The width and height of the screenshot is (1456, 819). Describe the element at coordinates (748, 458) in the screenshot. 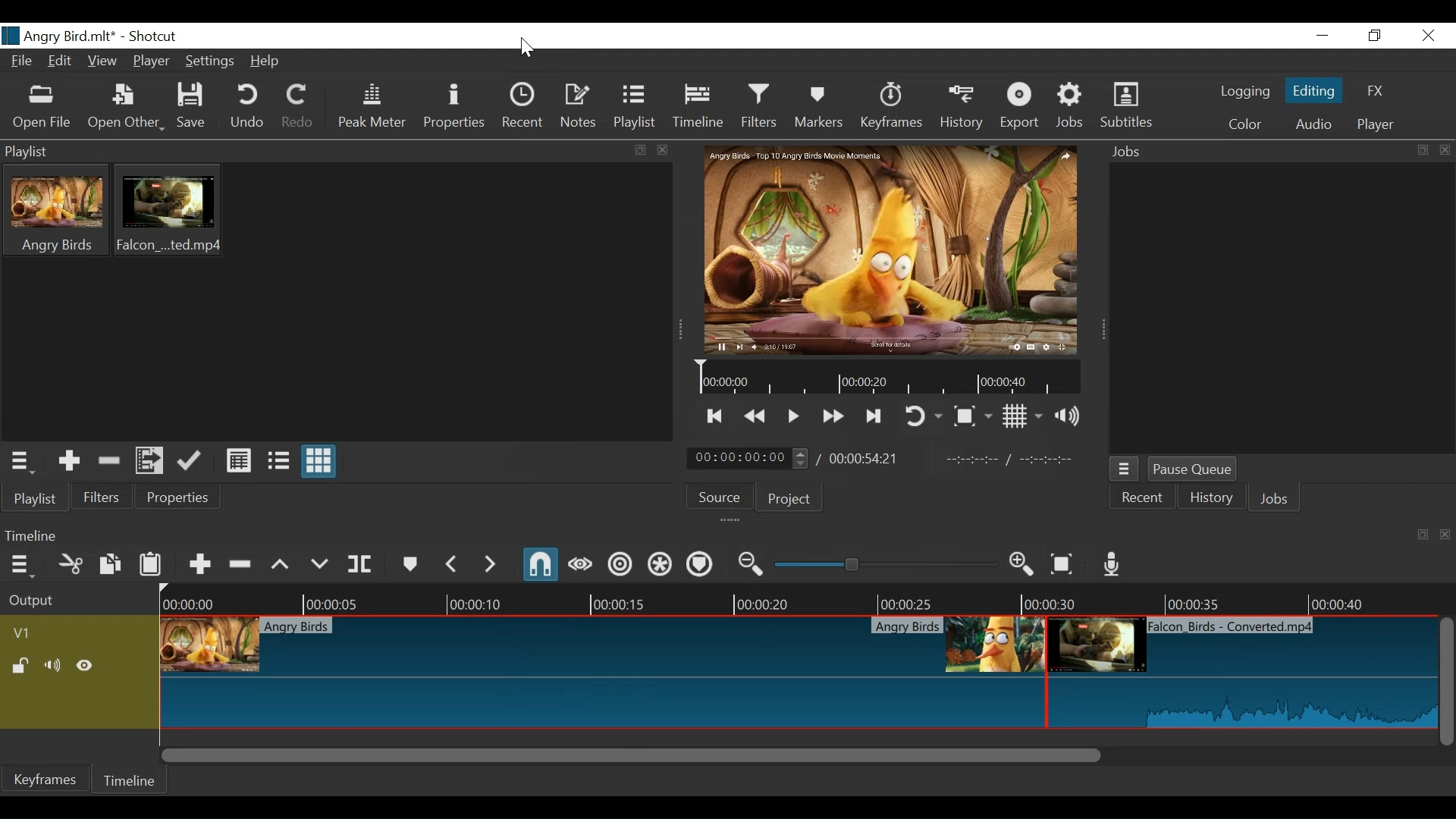

I see `Current position` at that location.